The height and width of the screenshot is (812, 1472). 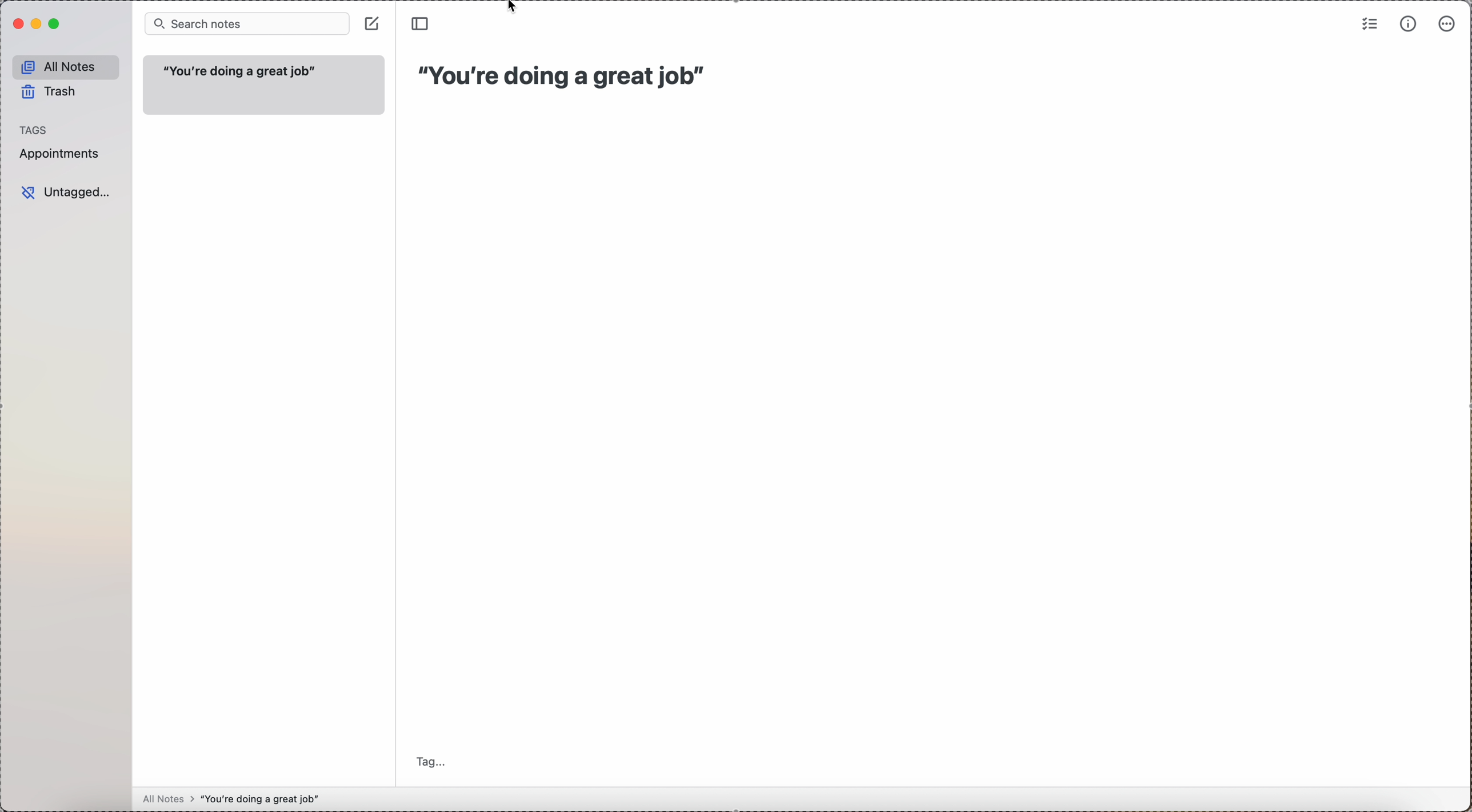 I want to click on cursor, so click(x=516, y=7).